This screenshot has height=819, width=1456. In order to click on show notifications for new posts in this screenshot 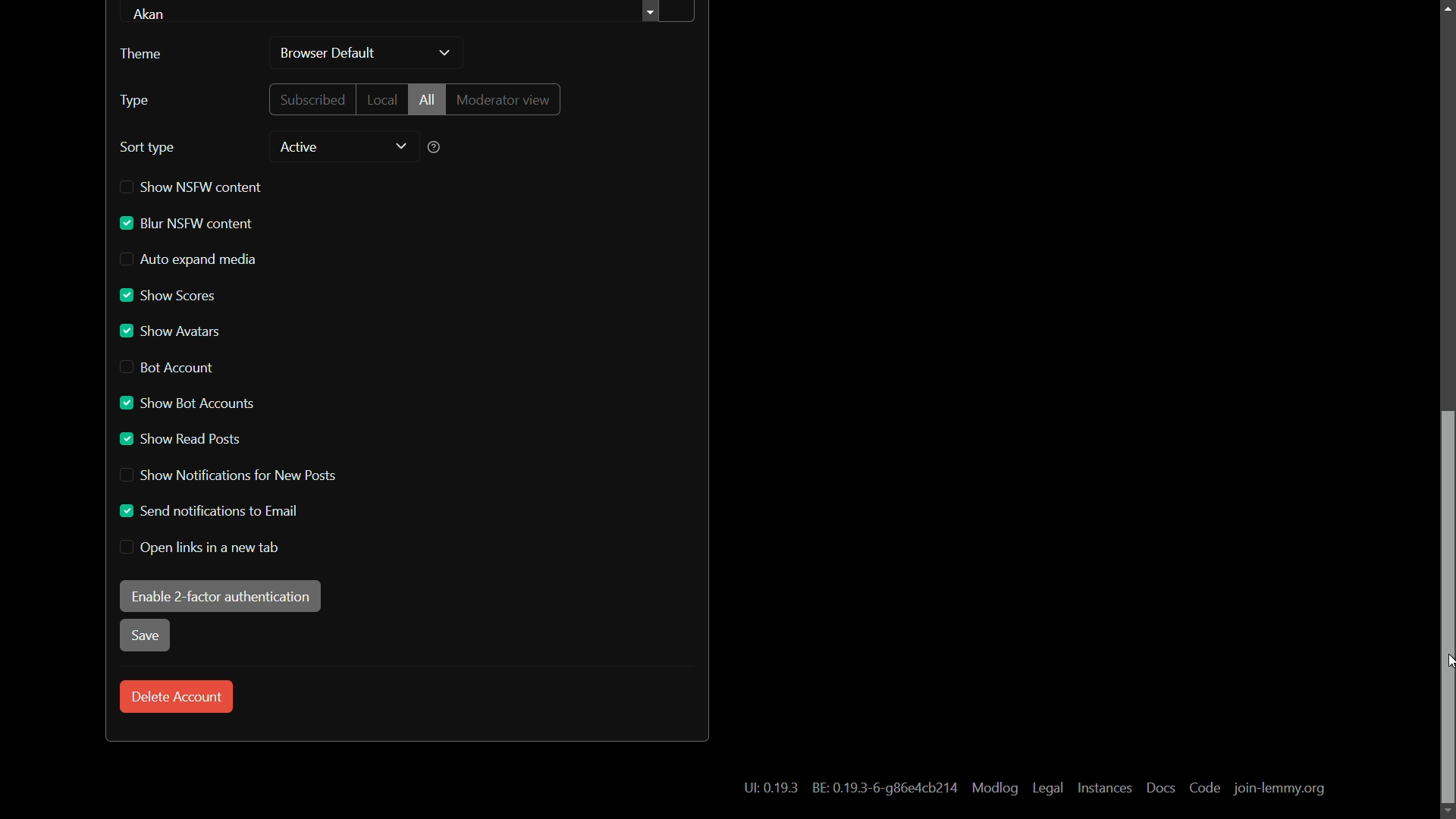, I will do `click(225, 476)`.